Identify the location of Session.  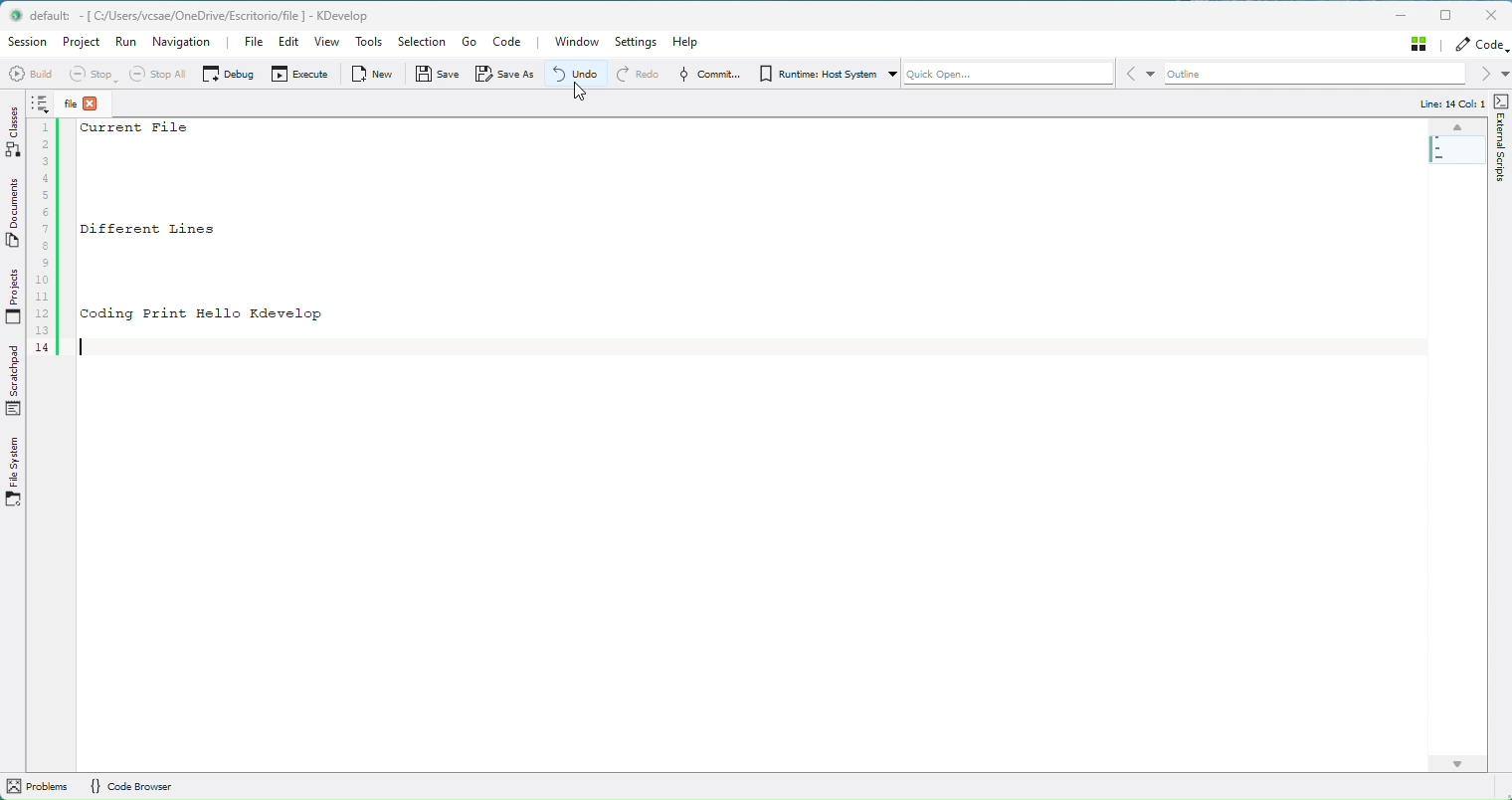
(27, 41).